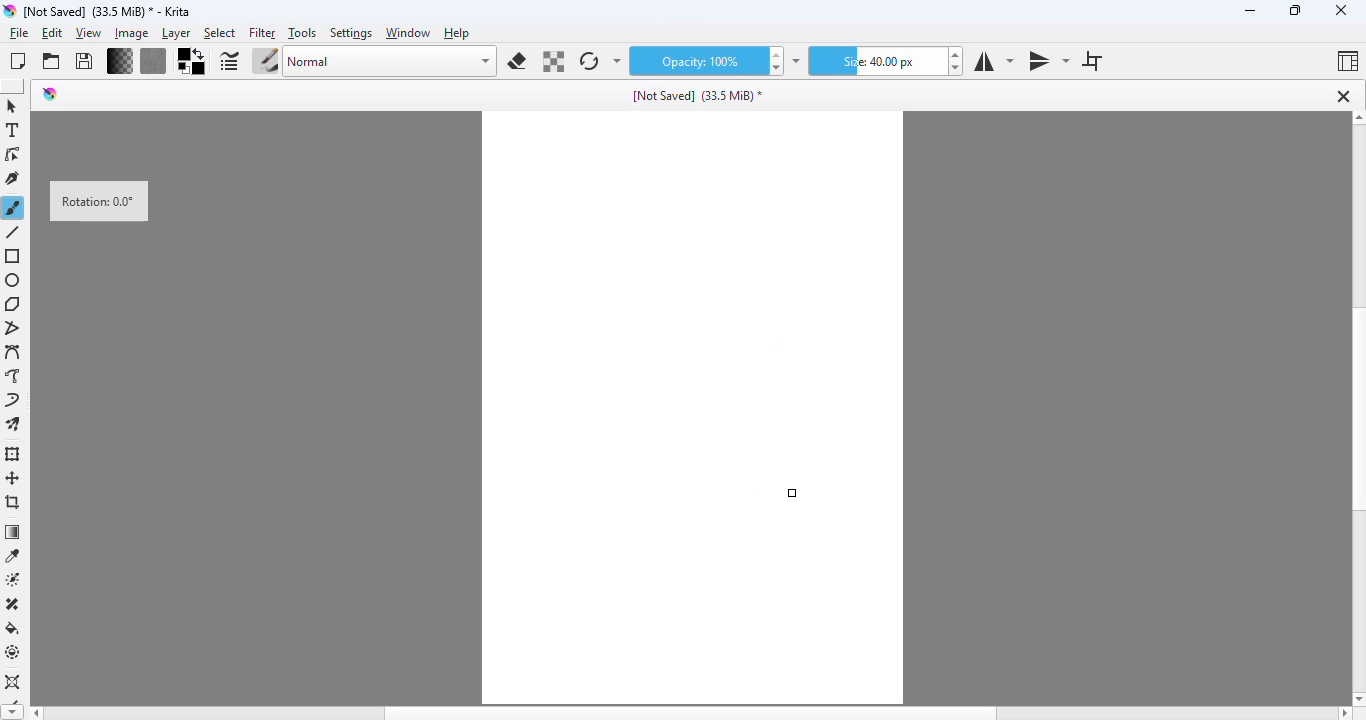 Image resolution: width=1366 pixels, height=720 pixels. I want to click on opacity, so click(698, 61).